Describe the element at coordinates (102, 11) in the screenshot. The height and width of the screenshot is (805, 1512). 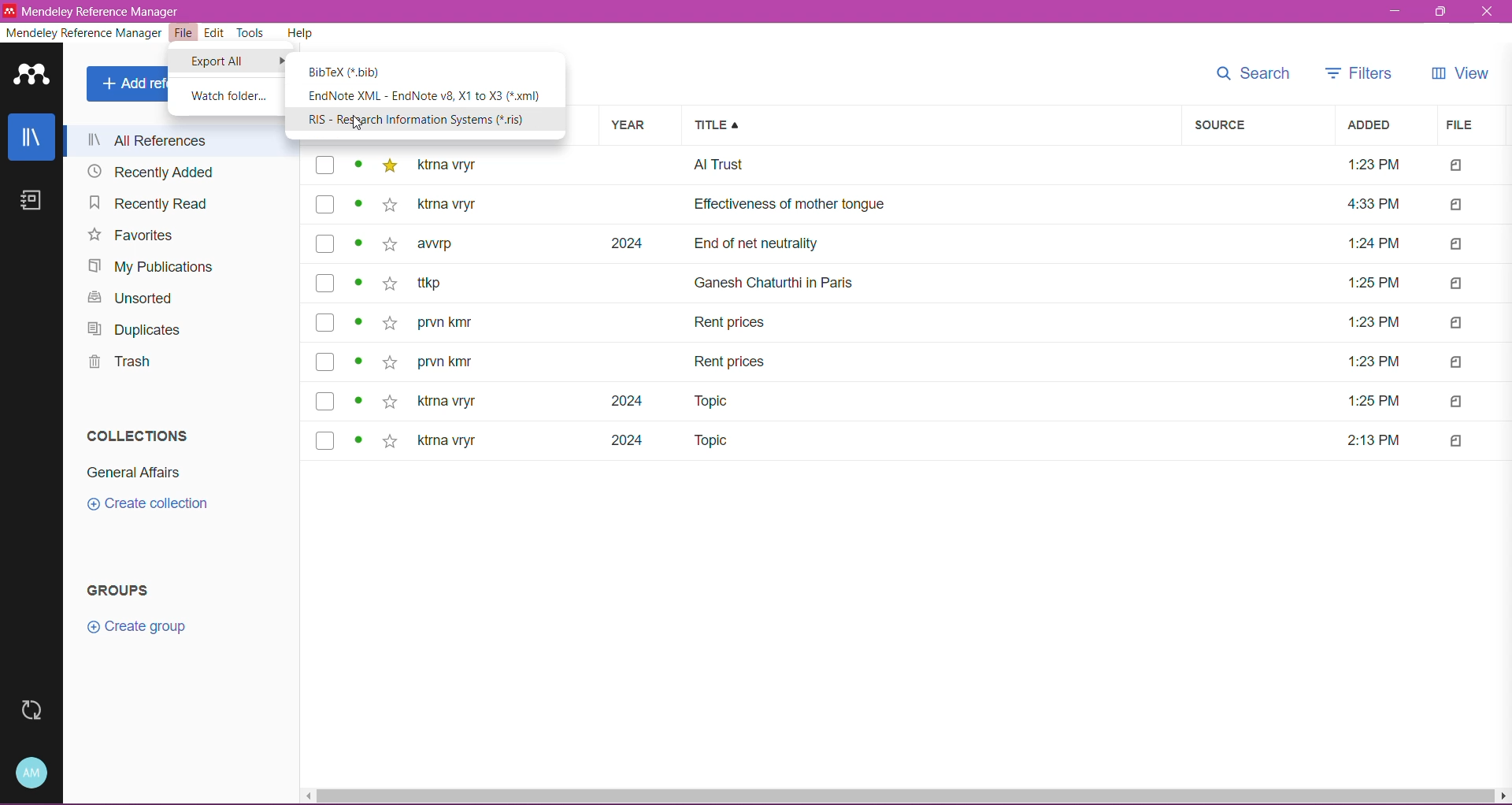
I see `Mendeley Reference Manager` at that location.